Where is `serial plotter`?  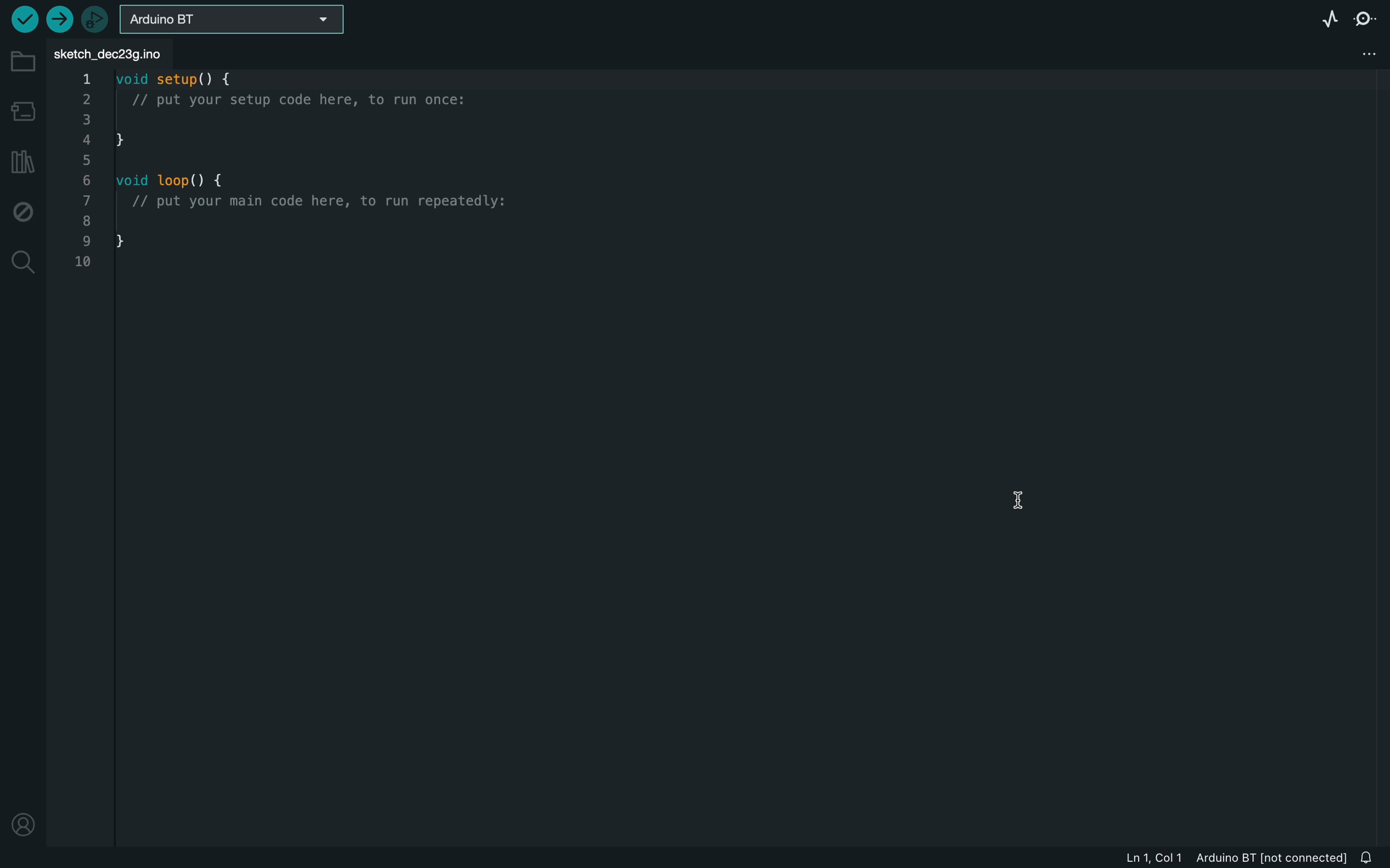 serial plotter is located at coordinates (1323, 18).